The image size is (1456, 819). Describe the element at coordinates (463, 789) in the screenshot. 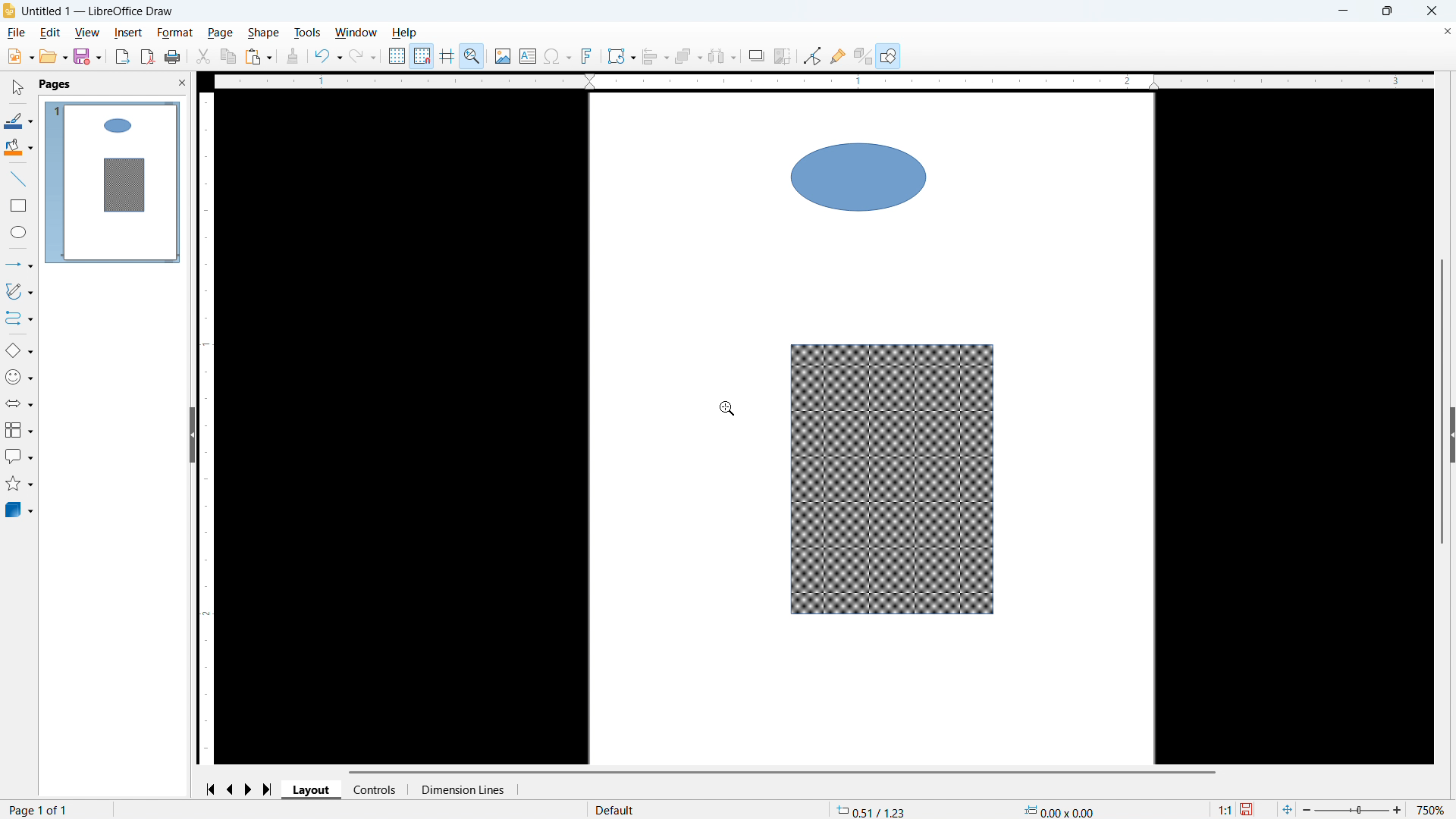

I see `Dimension lines ` at that location.